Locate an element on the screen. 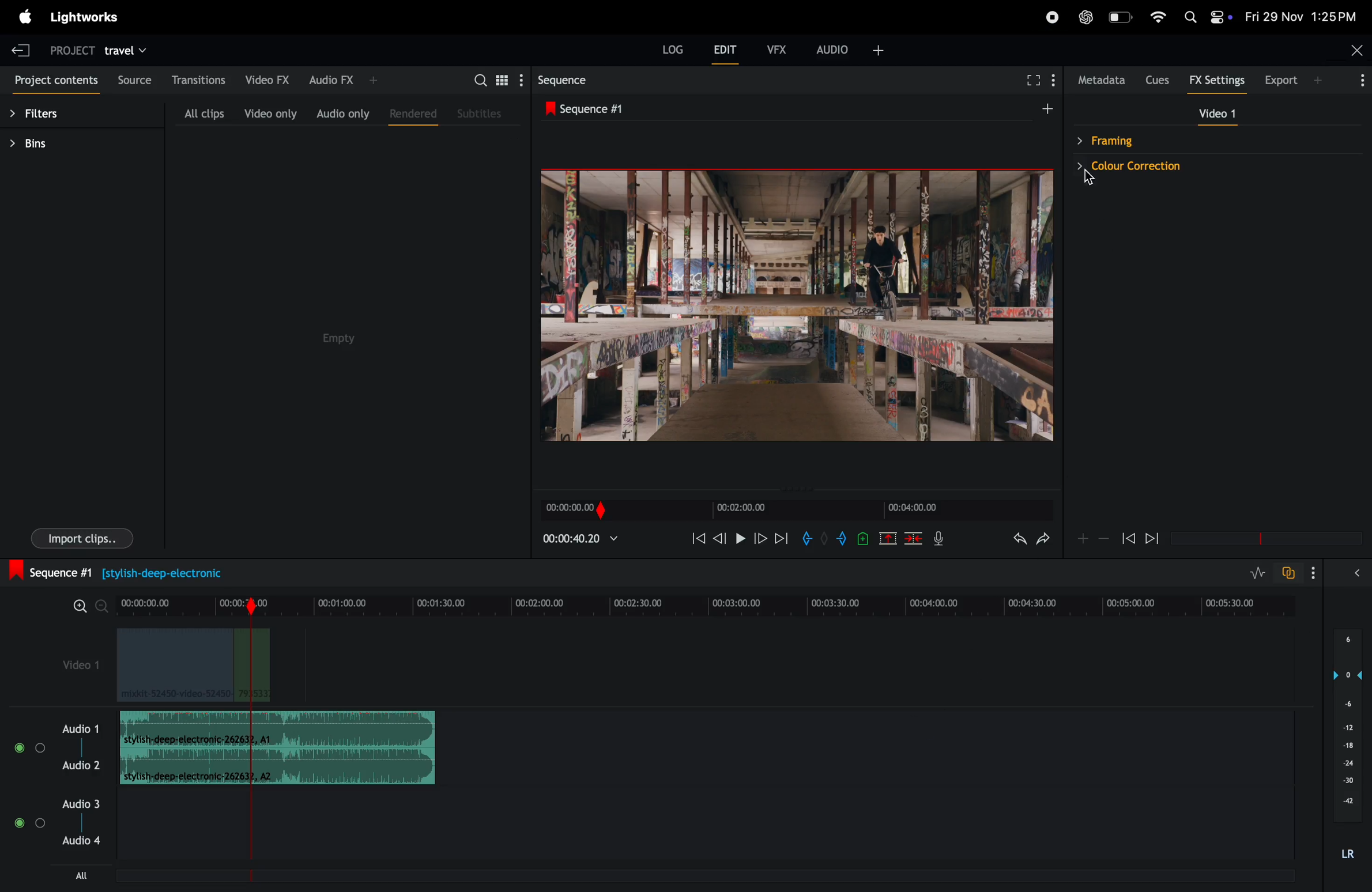  Fx settings is located at coordinates (1217, 82).